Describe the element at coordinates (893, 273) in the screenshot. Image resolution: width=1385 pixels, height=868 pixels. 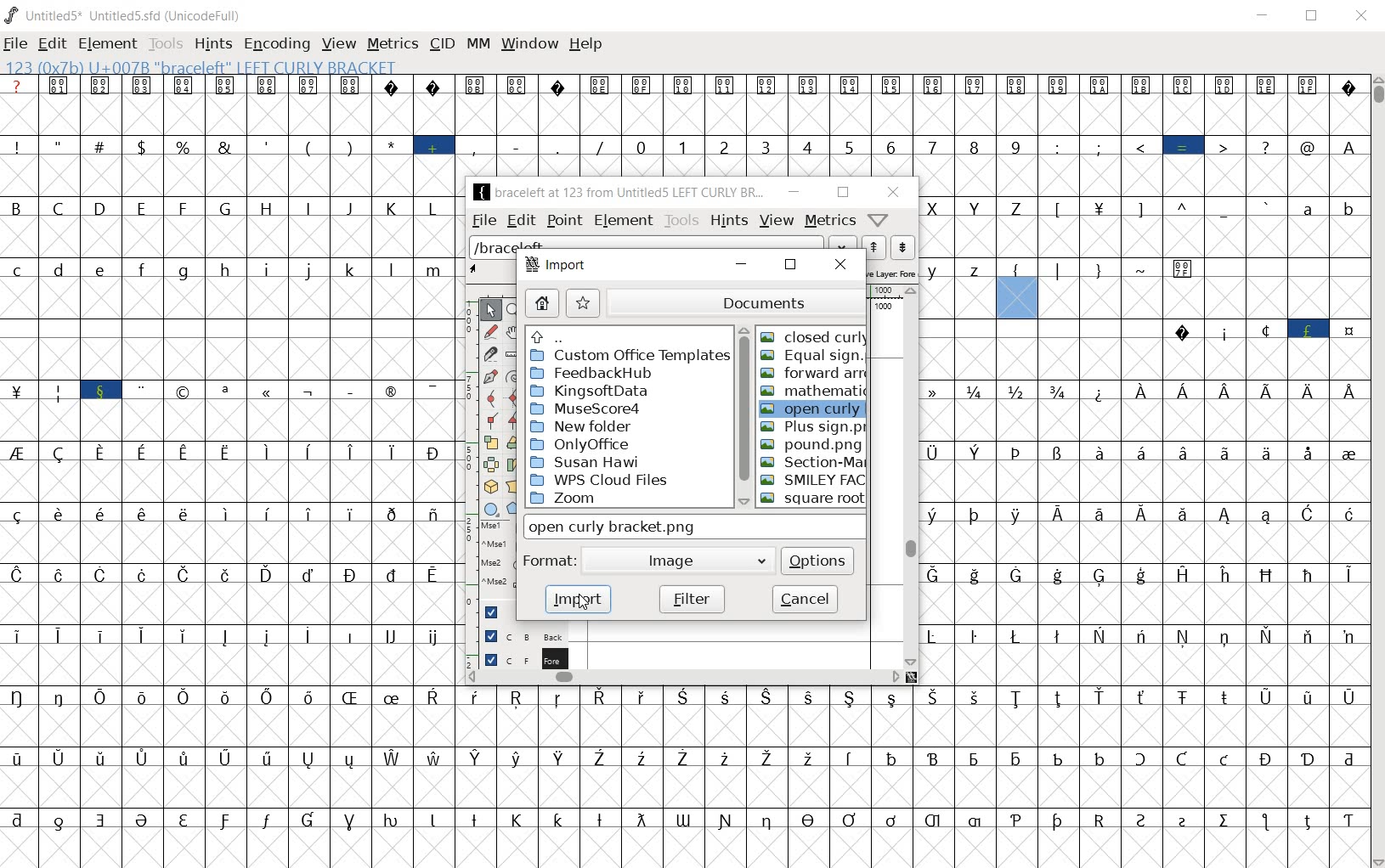
I see `active layer: fore` at that location.